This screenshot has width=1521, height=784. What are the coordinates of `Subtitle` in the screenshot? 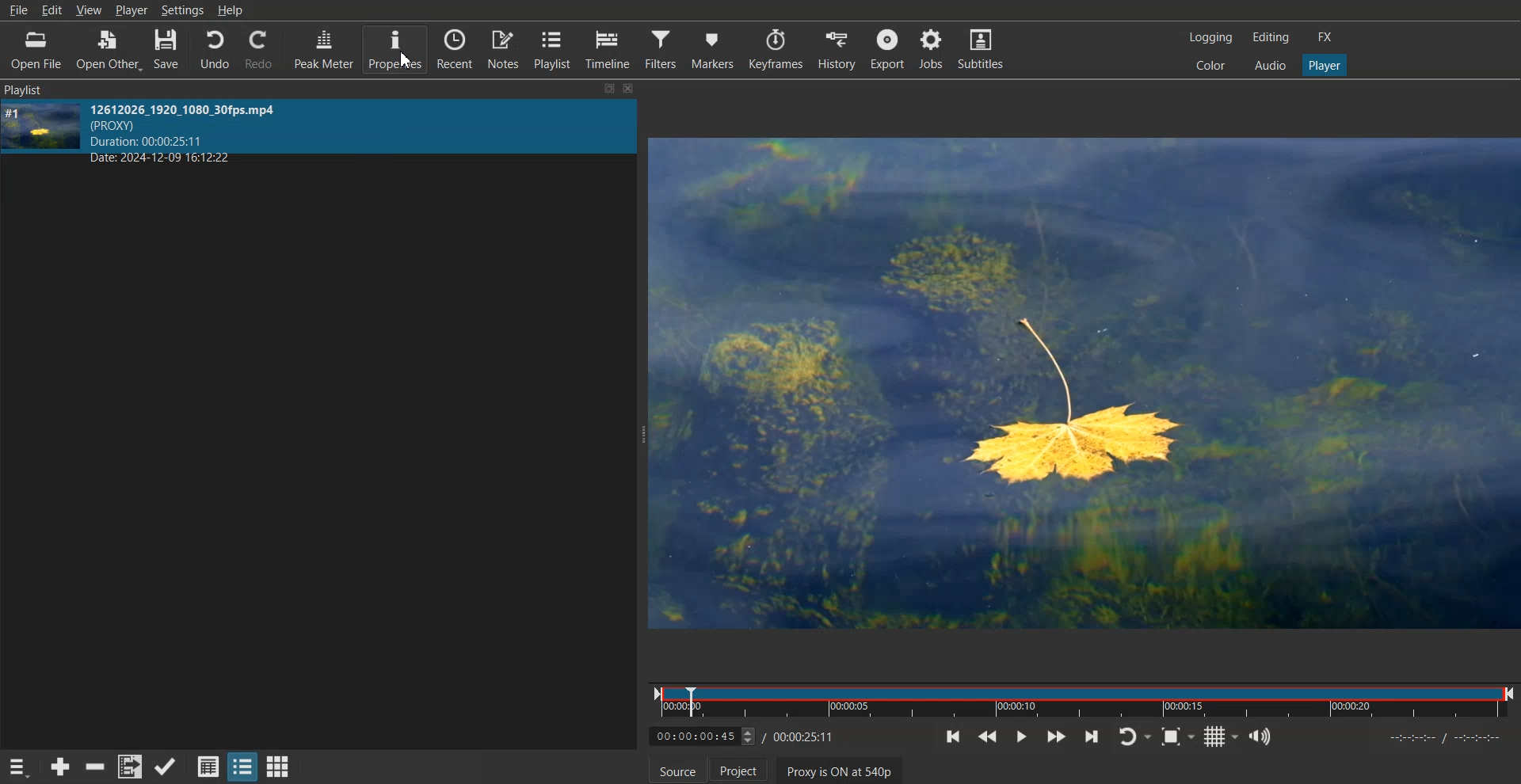 It's located at (985, 50).